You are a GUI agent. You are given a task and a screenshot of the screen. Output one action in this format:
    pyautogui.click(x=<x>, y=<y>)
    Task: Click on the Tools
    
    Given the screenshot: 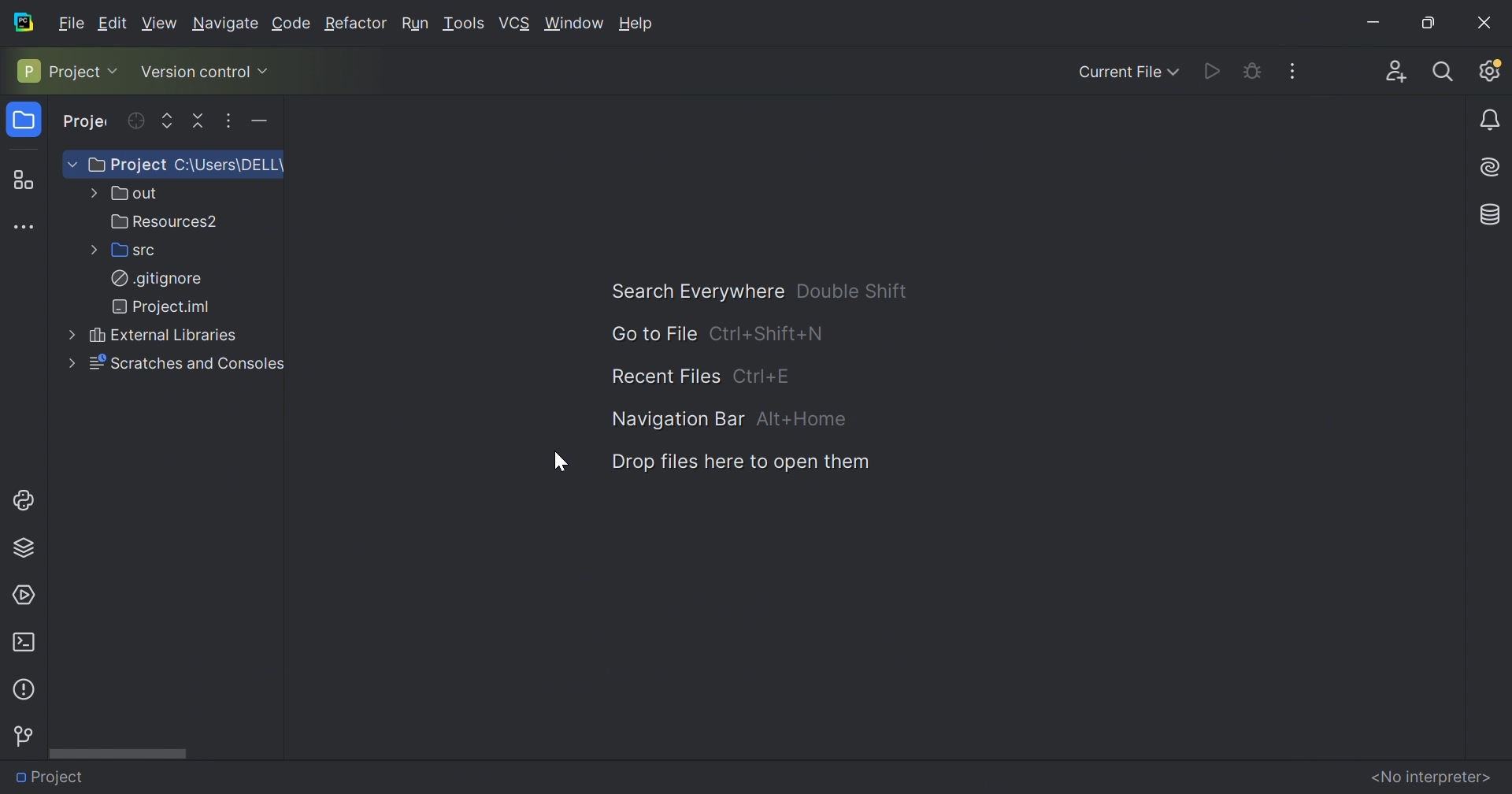 What is the action you would take?
    pyautogui.click(x=464, y=24)
    